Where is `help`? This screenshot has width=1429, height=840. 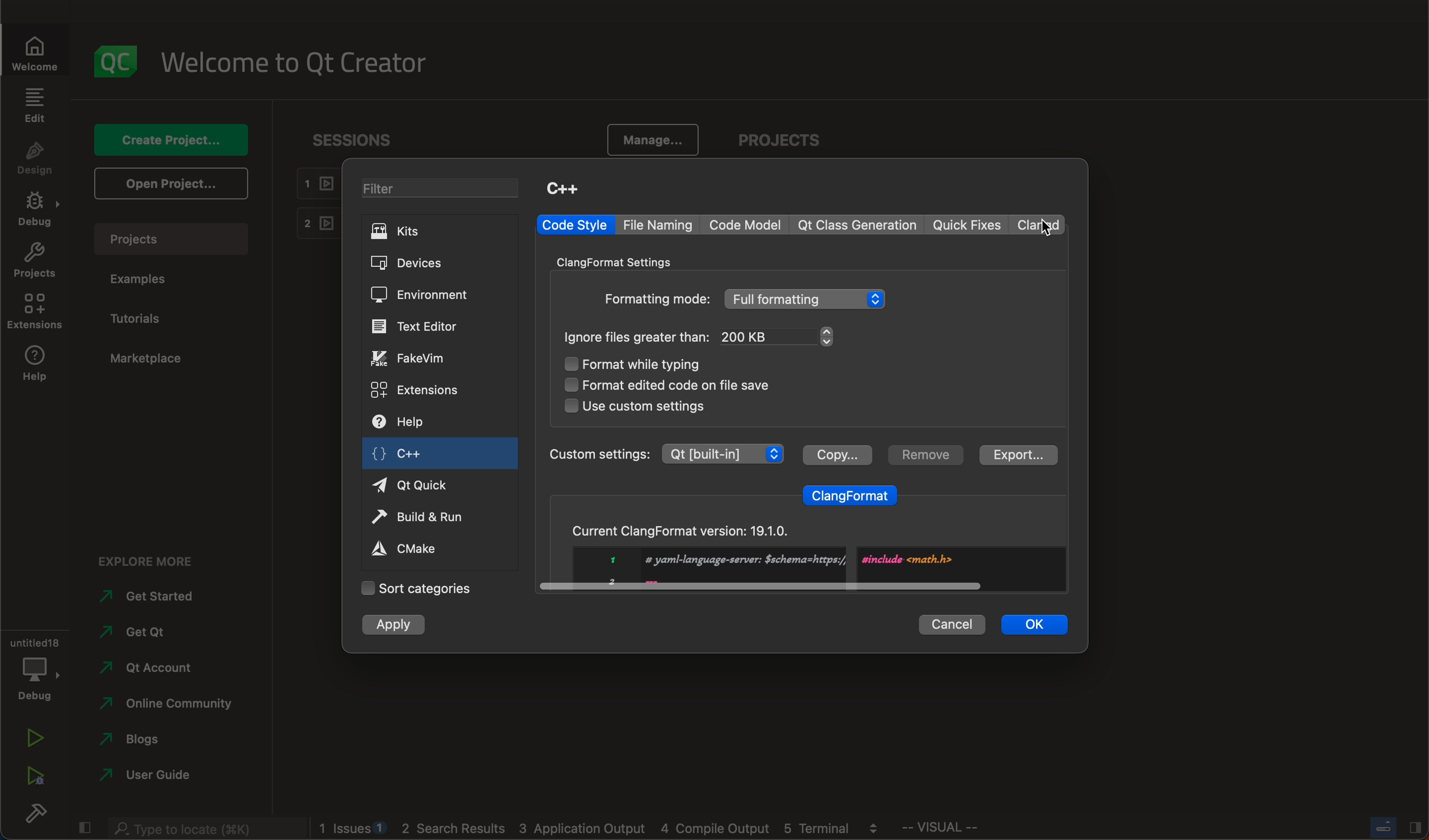 help is located at coordinates (413, 420).